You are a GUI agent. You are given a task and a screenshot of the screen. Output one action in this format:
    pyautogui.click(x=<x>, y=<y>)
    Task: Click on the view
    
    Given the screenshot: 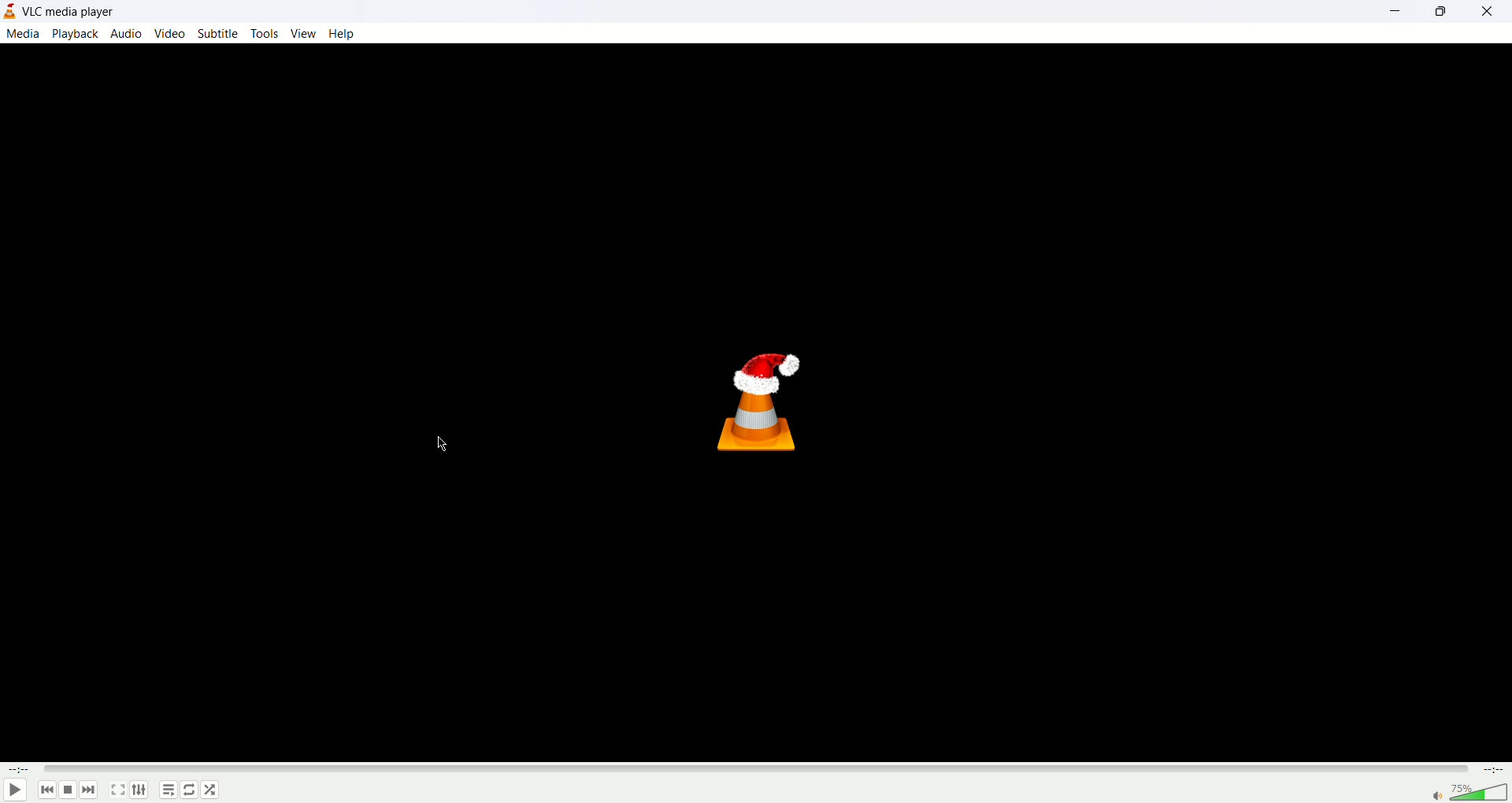 What is the action you would take?
    pyautogui.click(x=304, y=33)
    